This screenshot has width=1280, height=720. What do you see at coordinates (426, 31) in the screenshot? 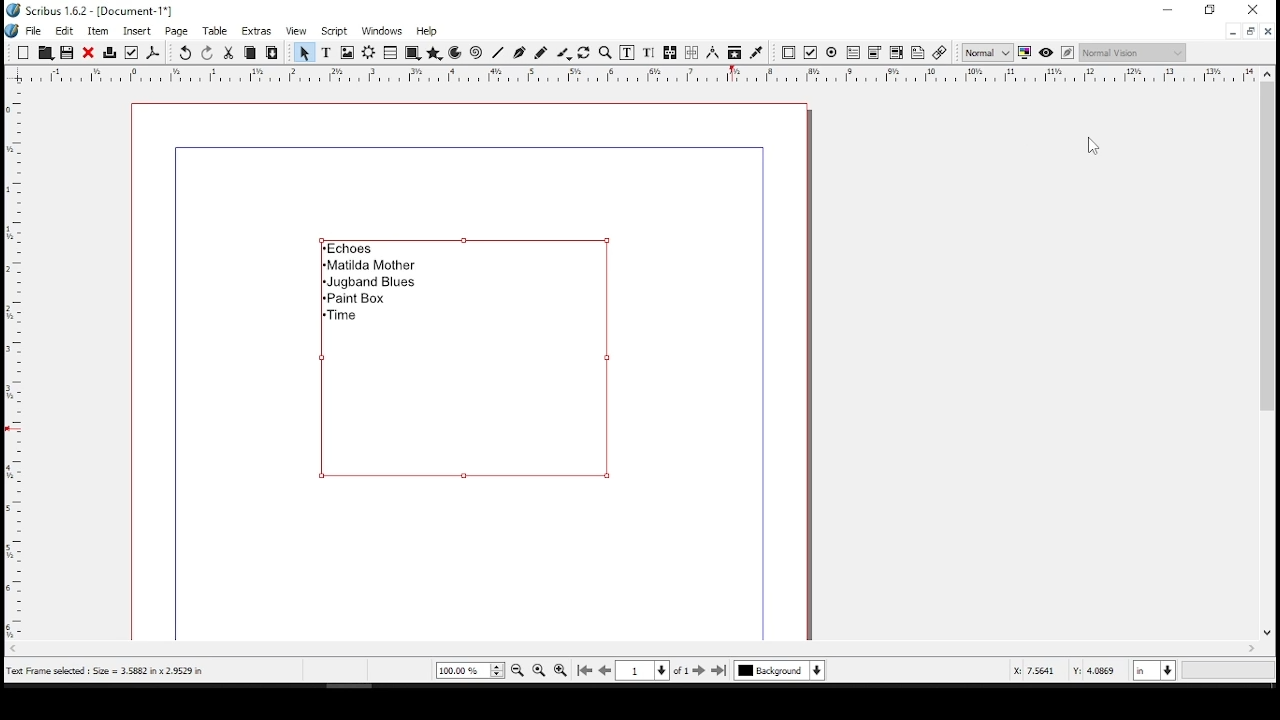
I see `help` at bounding box center [426, 31].